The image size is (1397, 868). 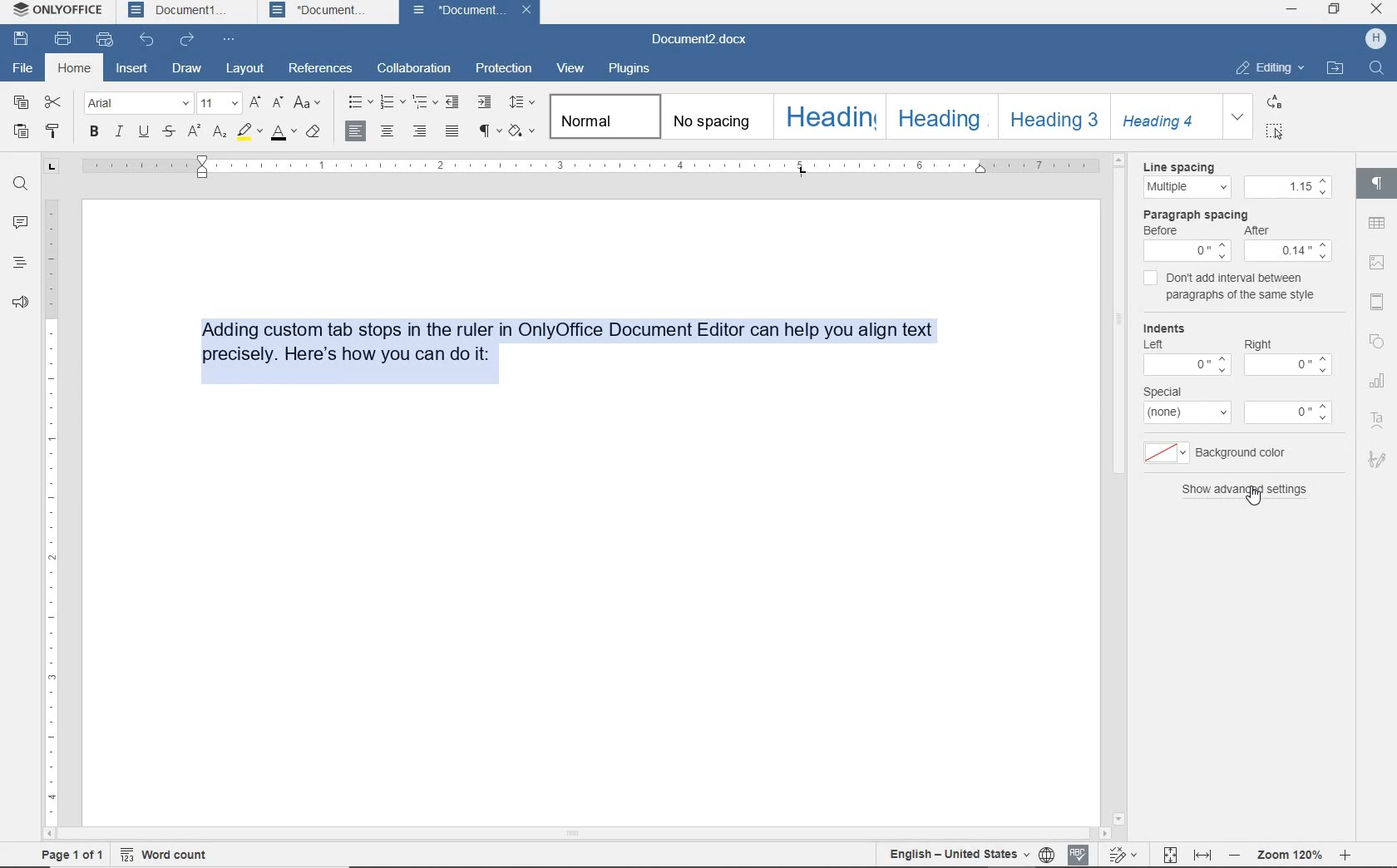 What do you see at coordinates (502, 69) in the screenshot?
I see `protection` at bounding box center [502, 69].